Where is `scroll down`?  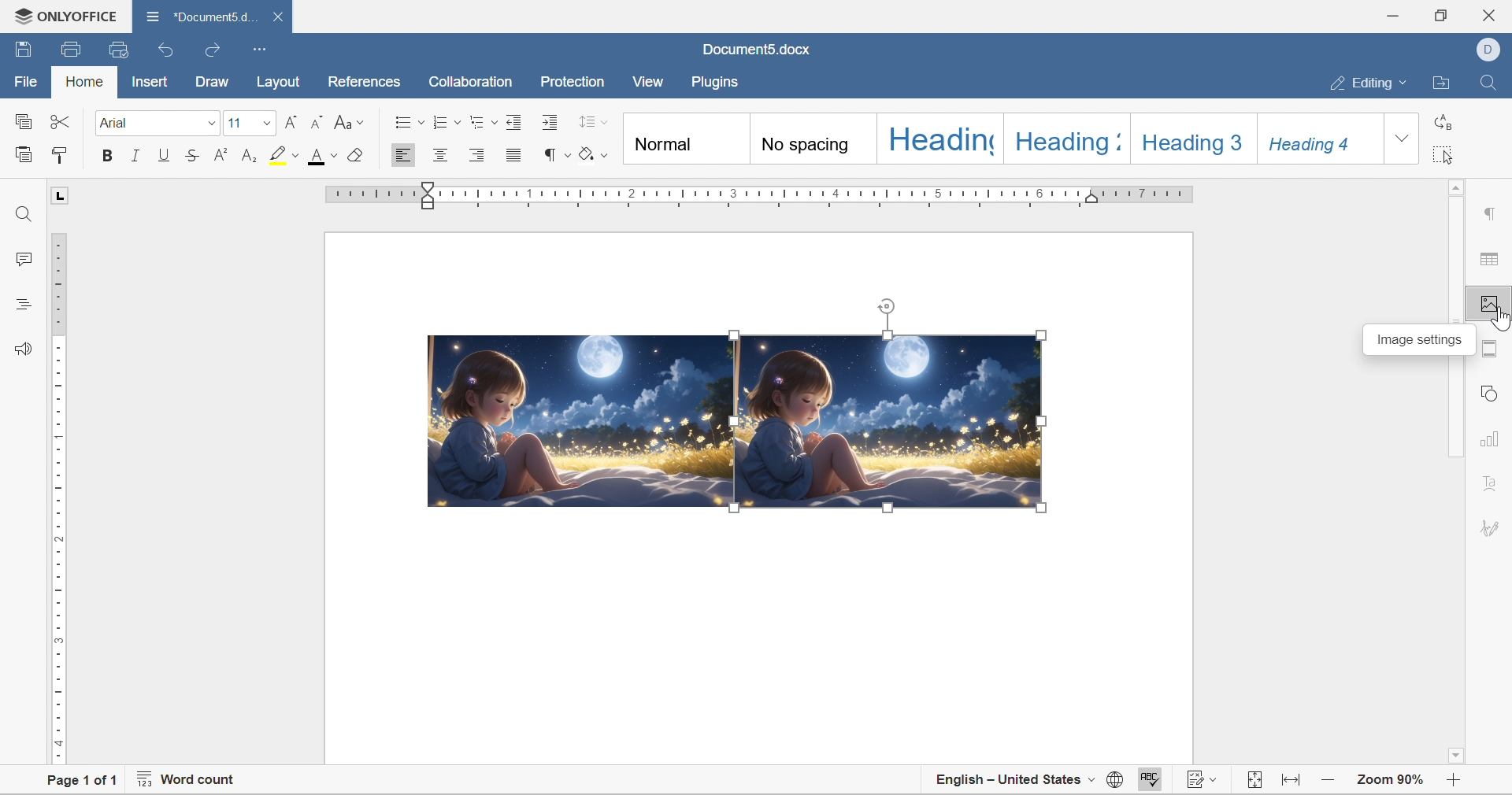 scroll down is located at coordinates (1455, 758).